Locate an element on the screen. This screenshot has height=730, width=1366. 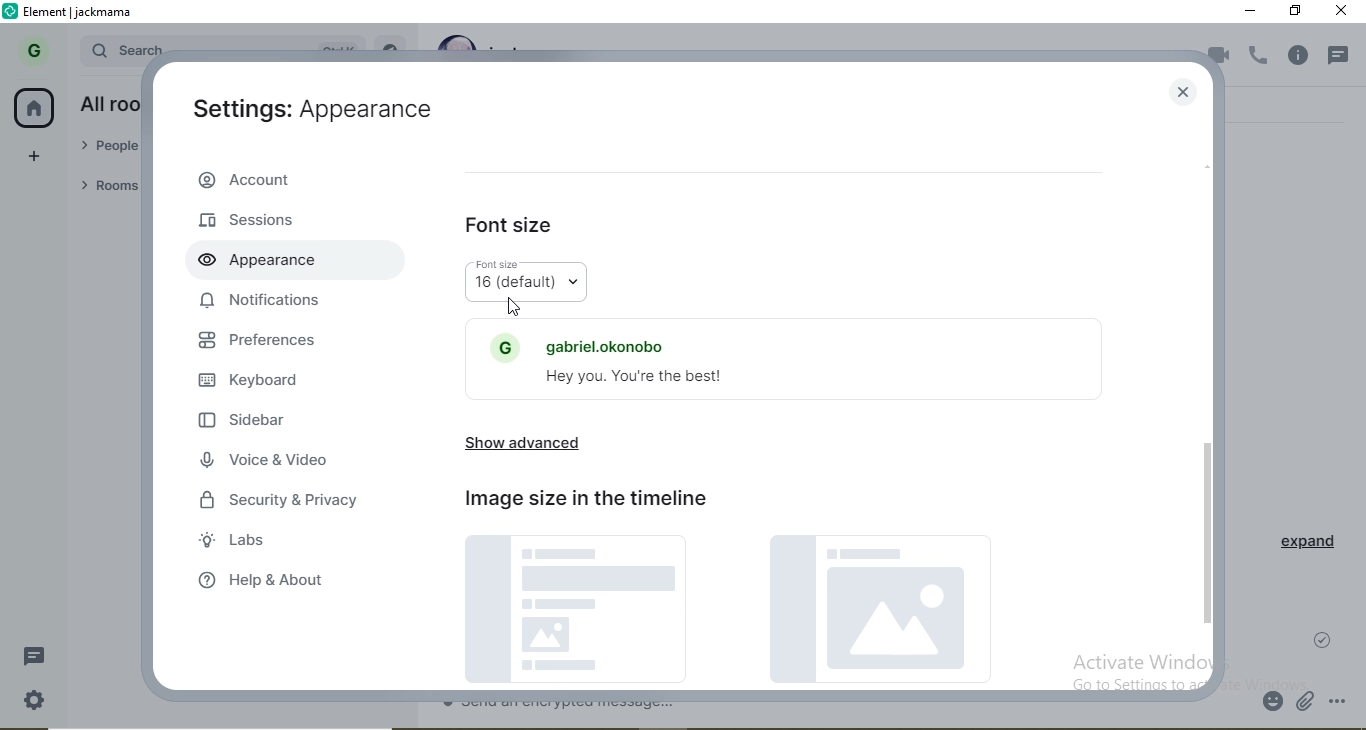
settings is located at coordinates (34, 700).